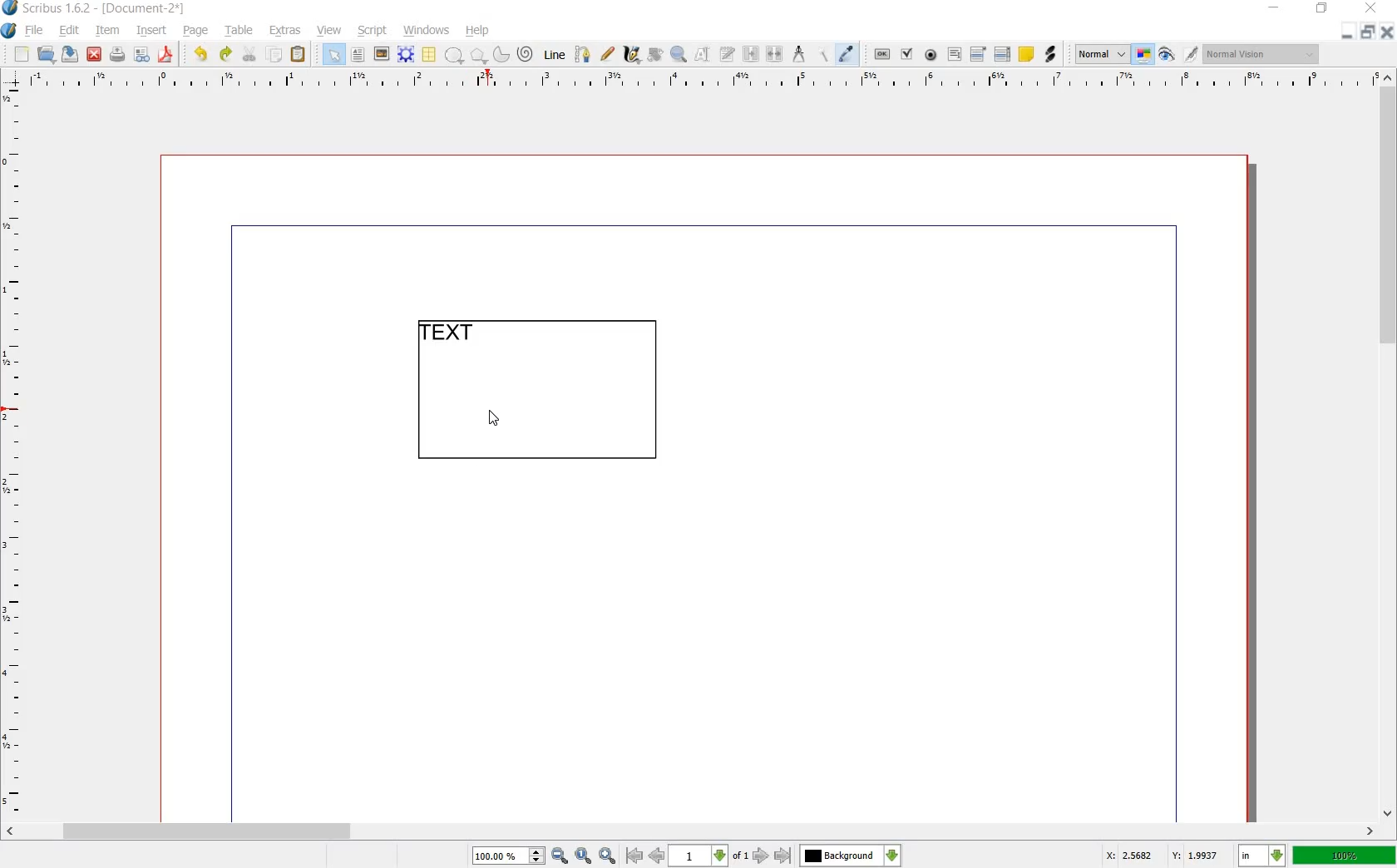  Describe the element at coordinates (1322, 11) in the screenshot. I see `restore` at that location.